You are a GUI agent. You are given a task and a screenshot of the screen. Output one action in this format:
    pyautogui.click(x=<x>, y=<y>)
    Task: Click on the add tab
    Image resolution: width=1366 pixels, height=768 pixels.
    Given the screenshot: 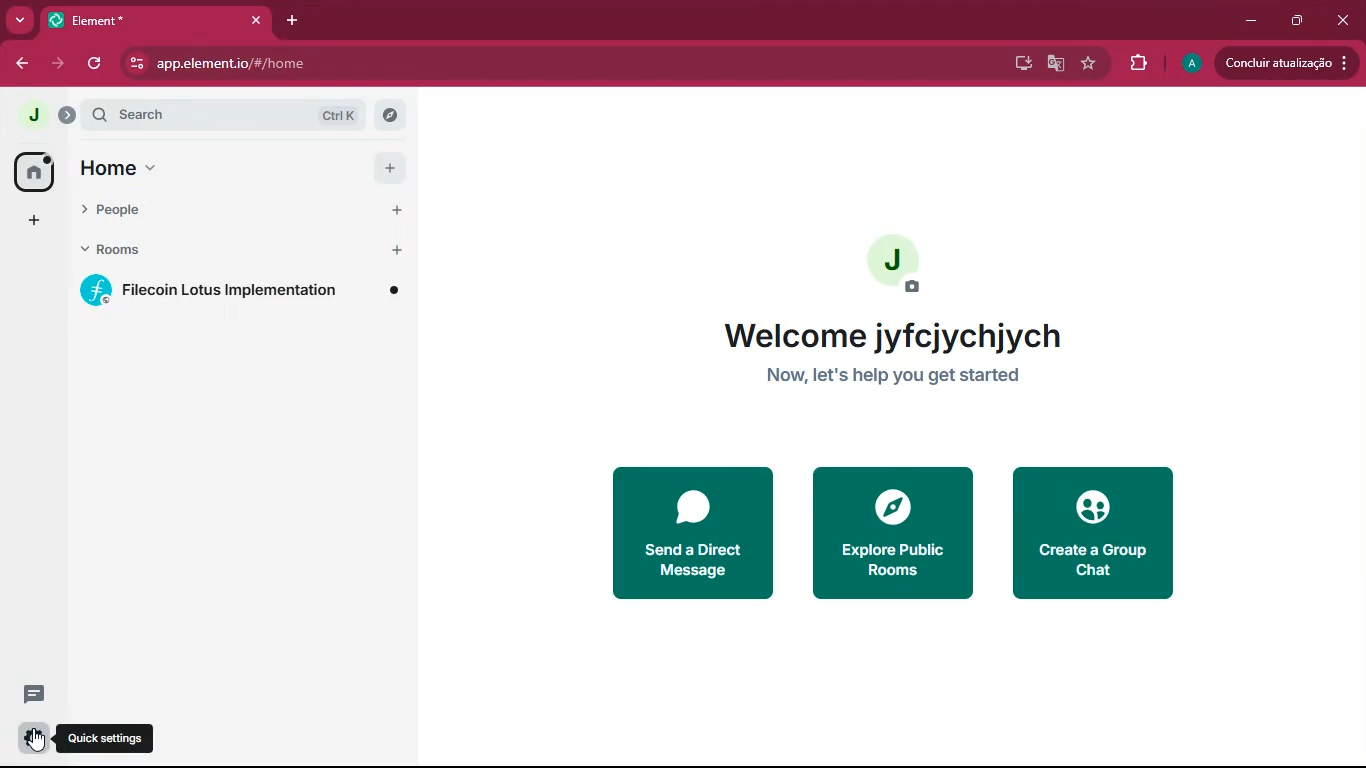 What is the action you would take?
    pyautogui.click(x=295, y=20)
    